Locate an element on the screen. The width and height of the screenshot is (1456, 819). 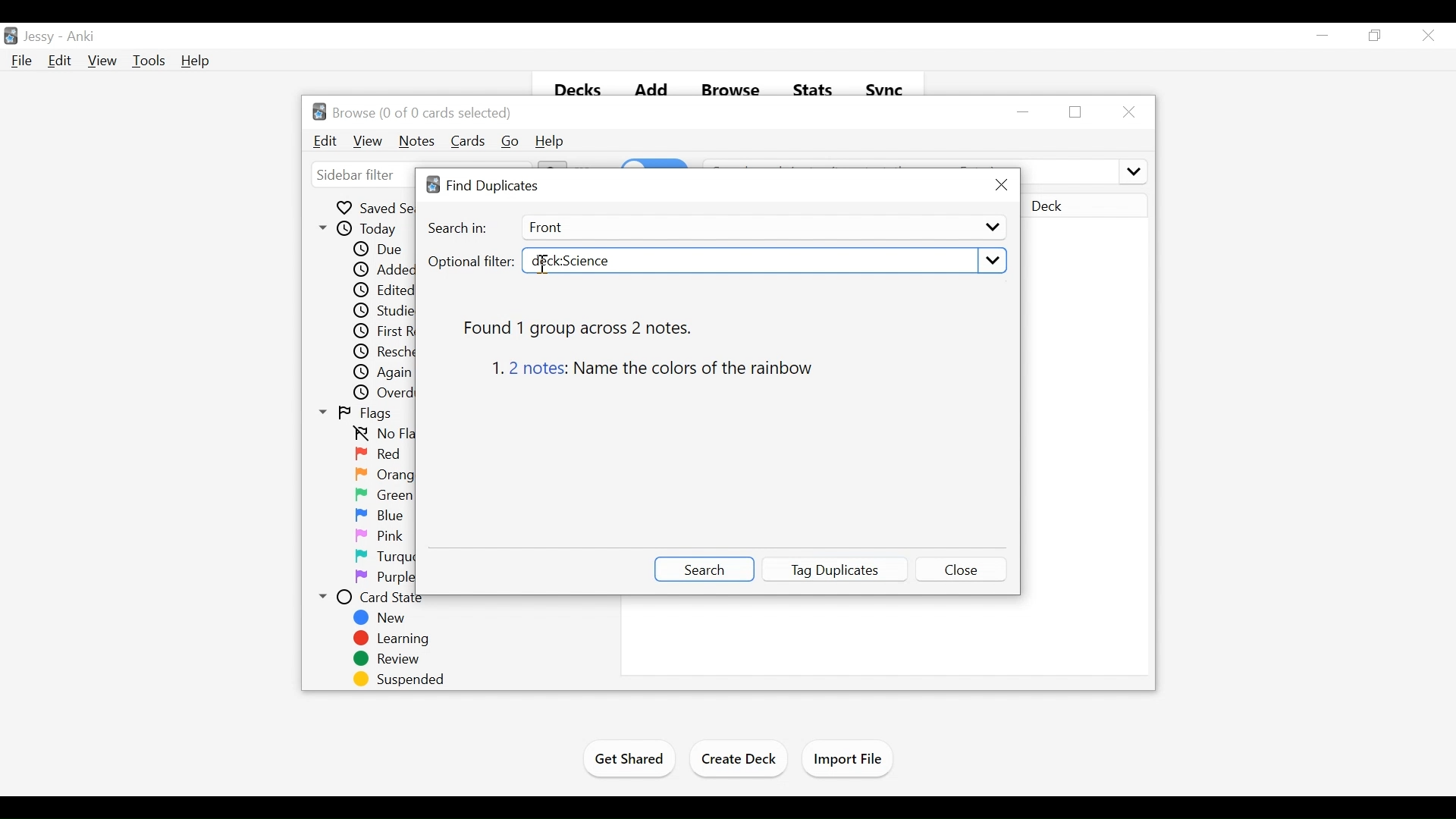
Get Shared is located at coordinates (627, 761).